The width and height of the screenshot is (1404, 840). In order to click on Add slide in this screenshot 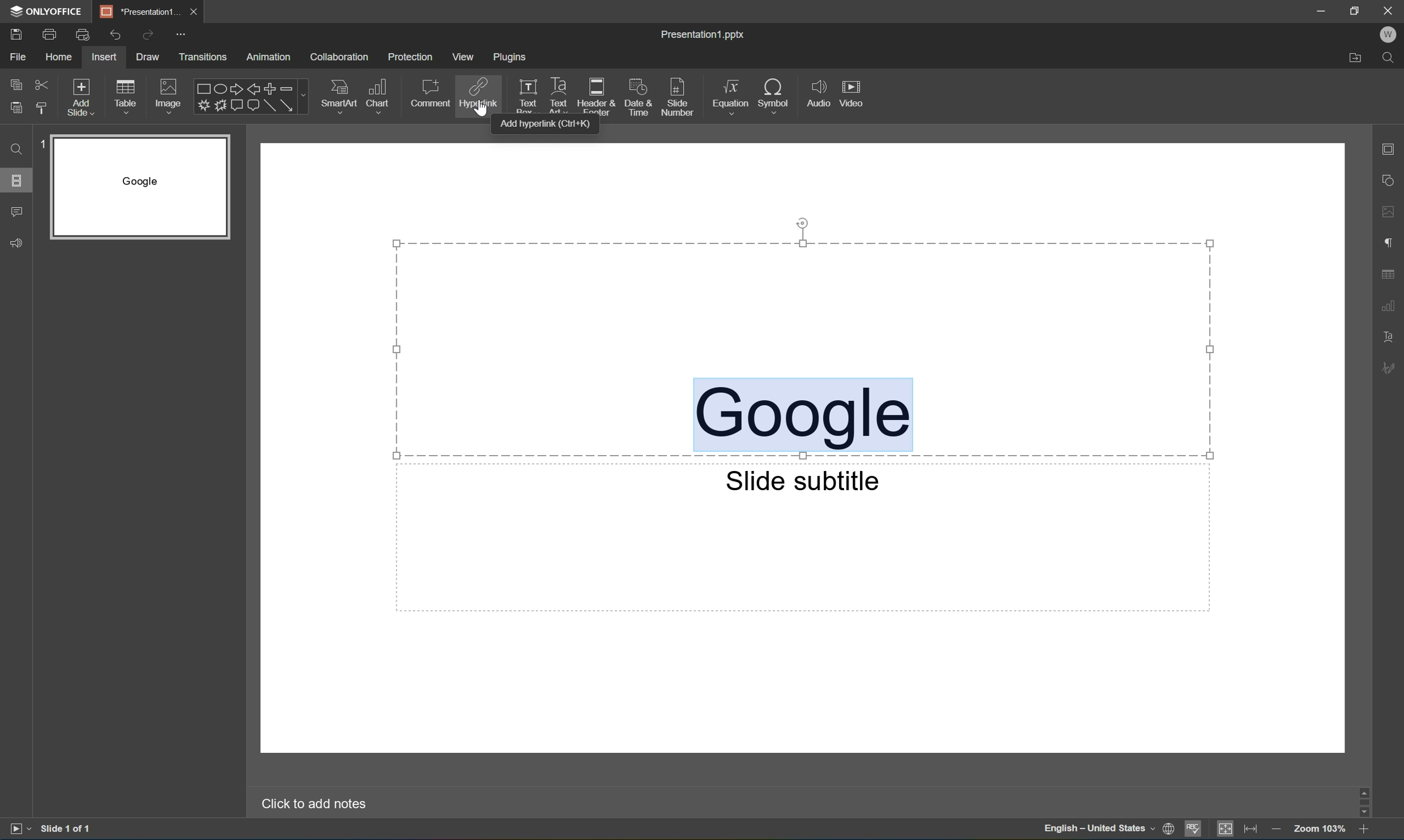, I will do `click(84, 97)`.